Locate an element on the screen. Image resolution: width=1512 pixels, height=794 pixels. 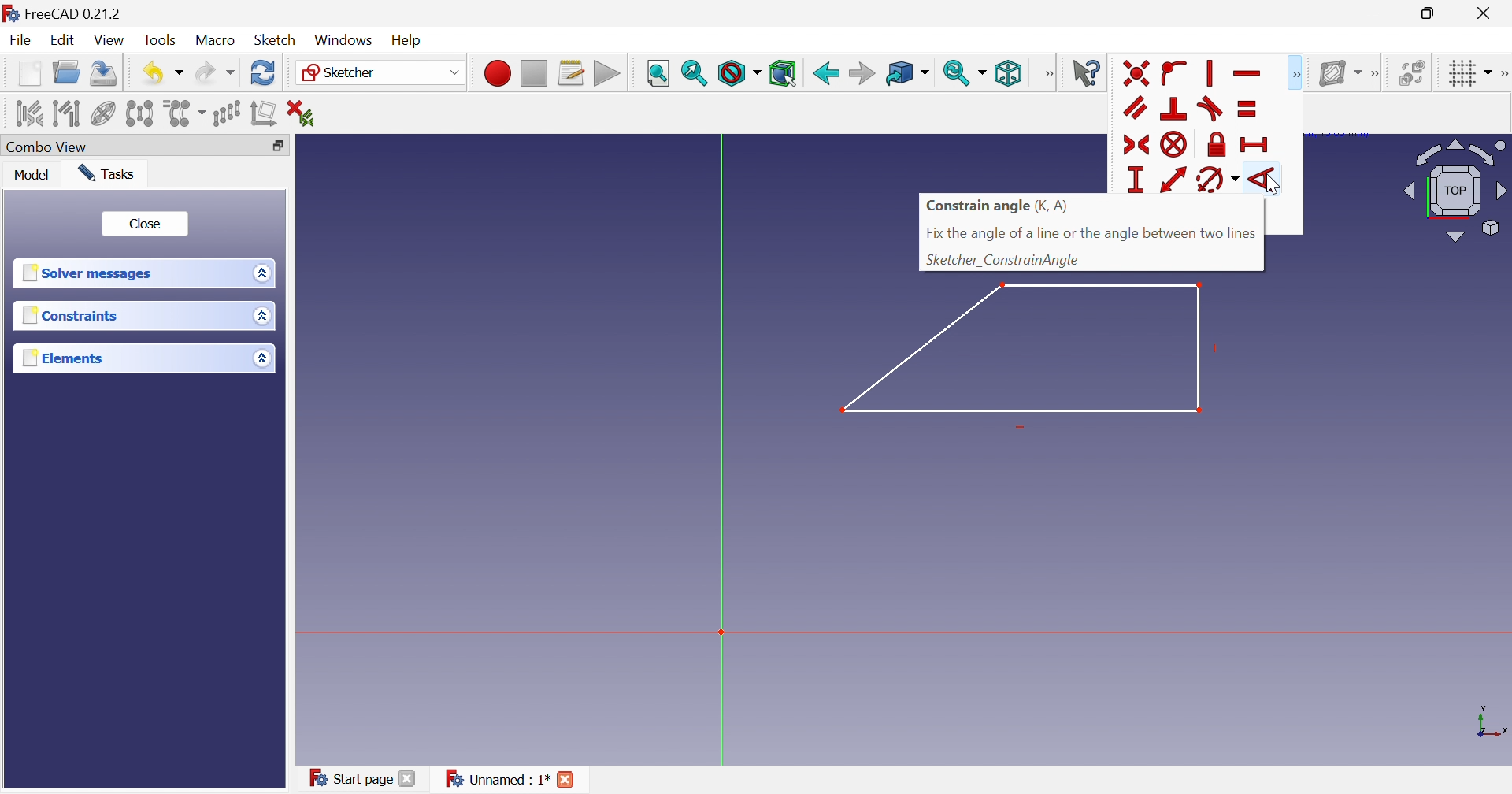
Constraint lock is located at coordinates (1216, 145).